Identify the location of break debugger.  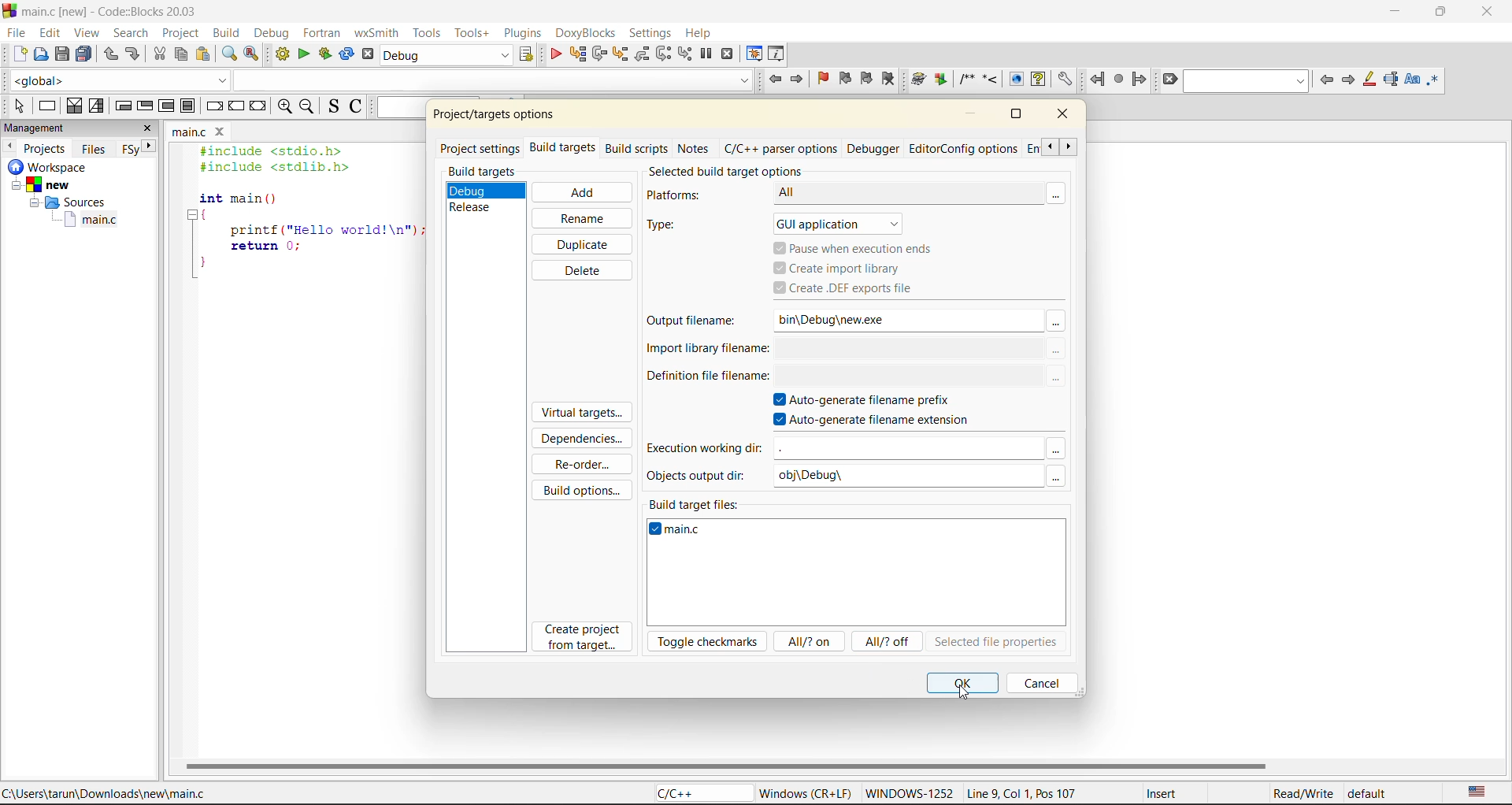
(707, 54).